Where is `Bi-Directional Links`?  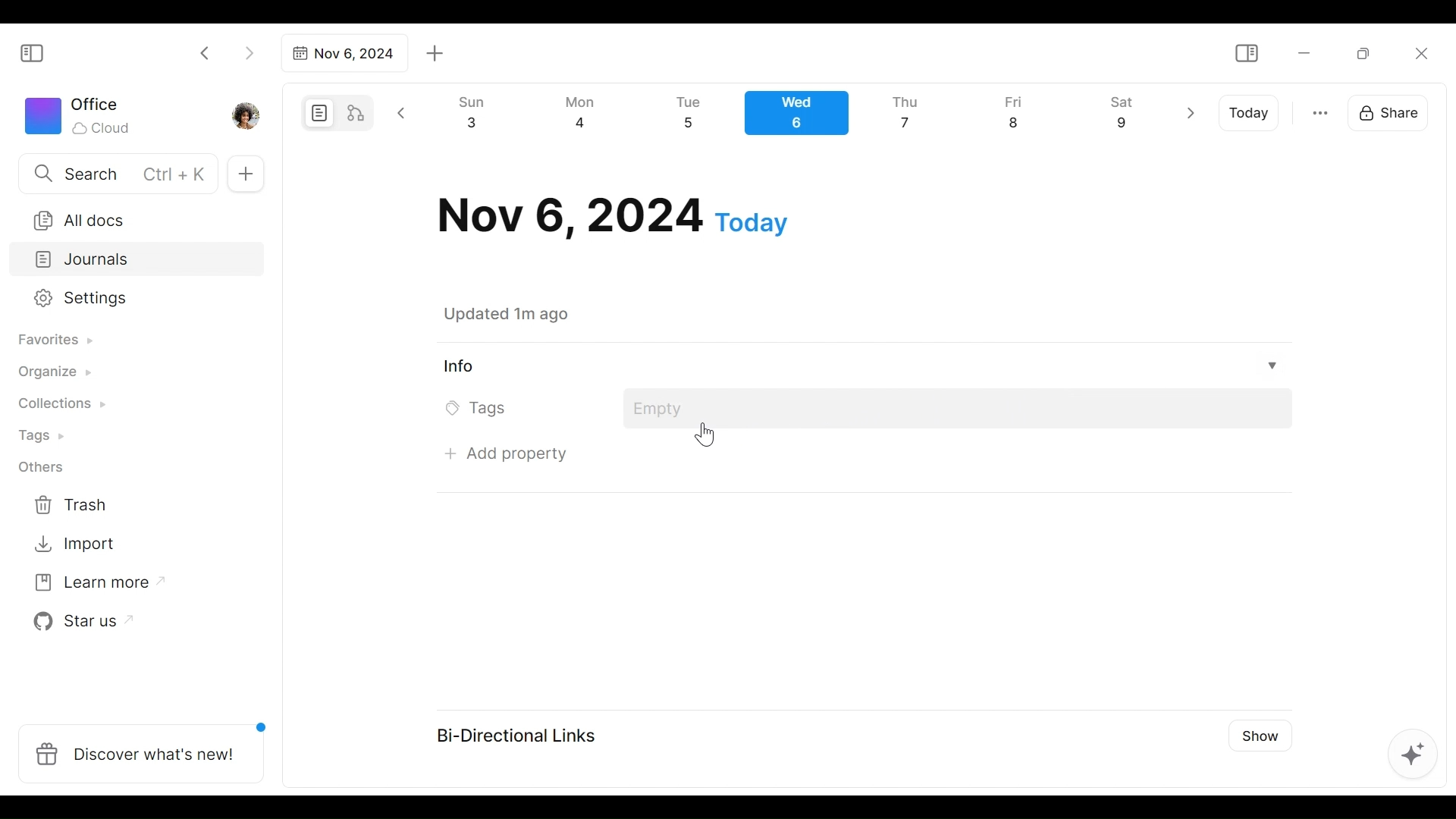 Bi-Directional Links is located at coordinates (524, 734).